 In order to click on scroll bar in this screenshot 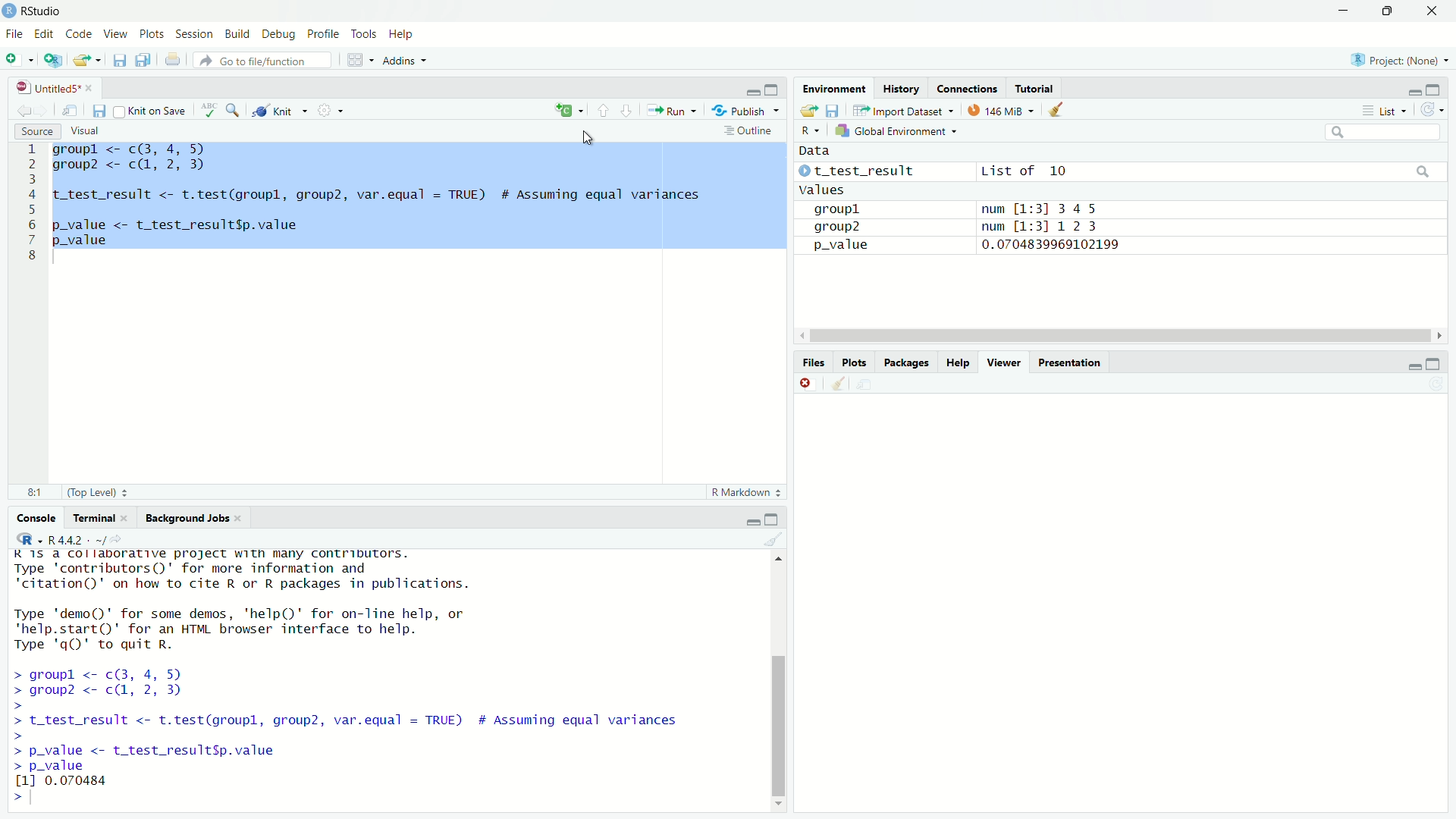, I will do `click(1121, 334)`.